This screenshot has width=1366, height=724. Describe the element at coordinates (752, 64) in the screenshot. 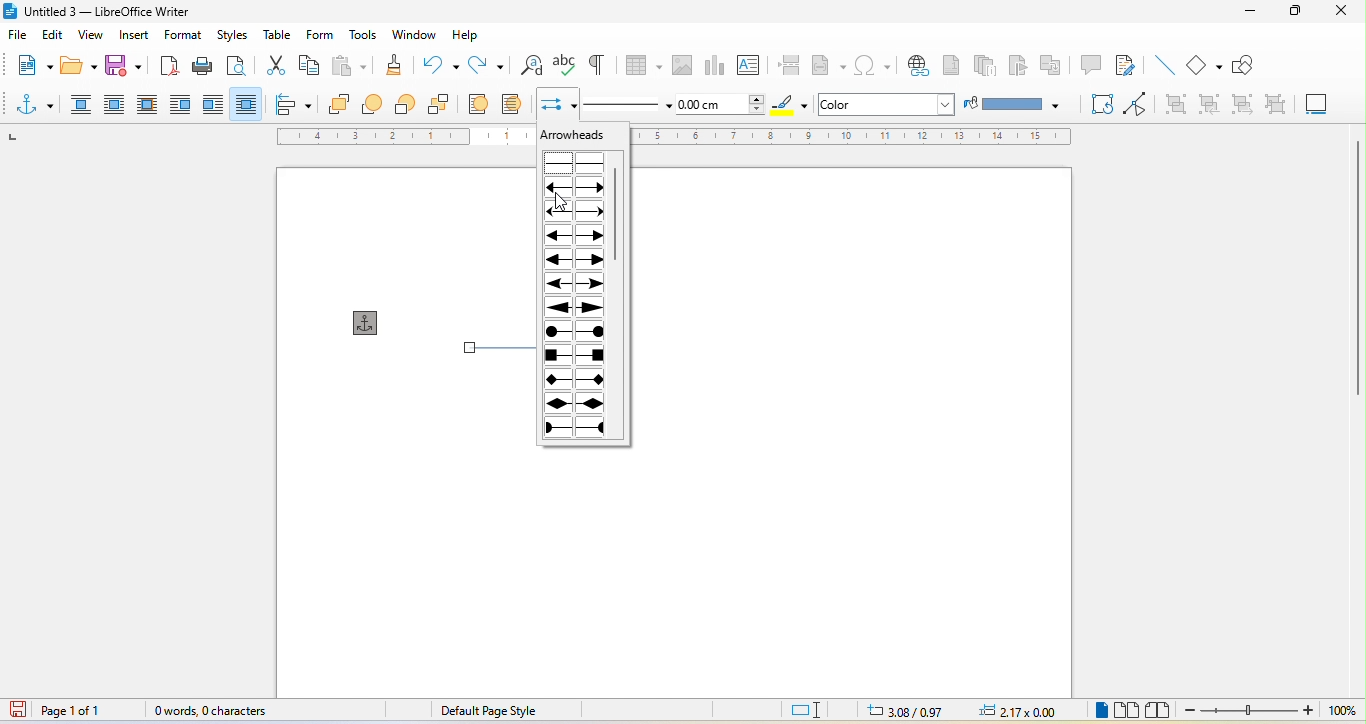

I see `text box` at that location.